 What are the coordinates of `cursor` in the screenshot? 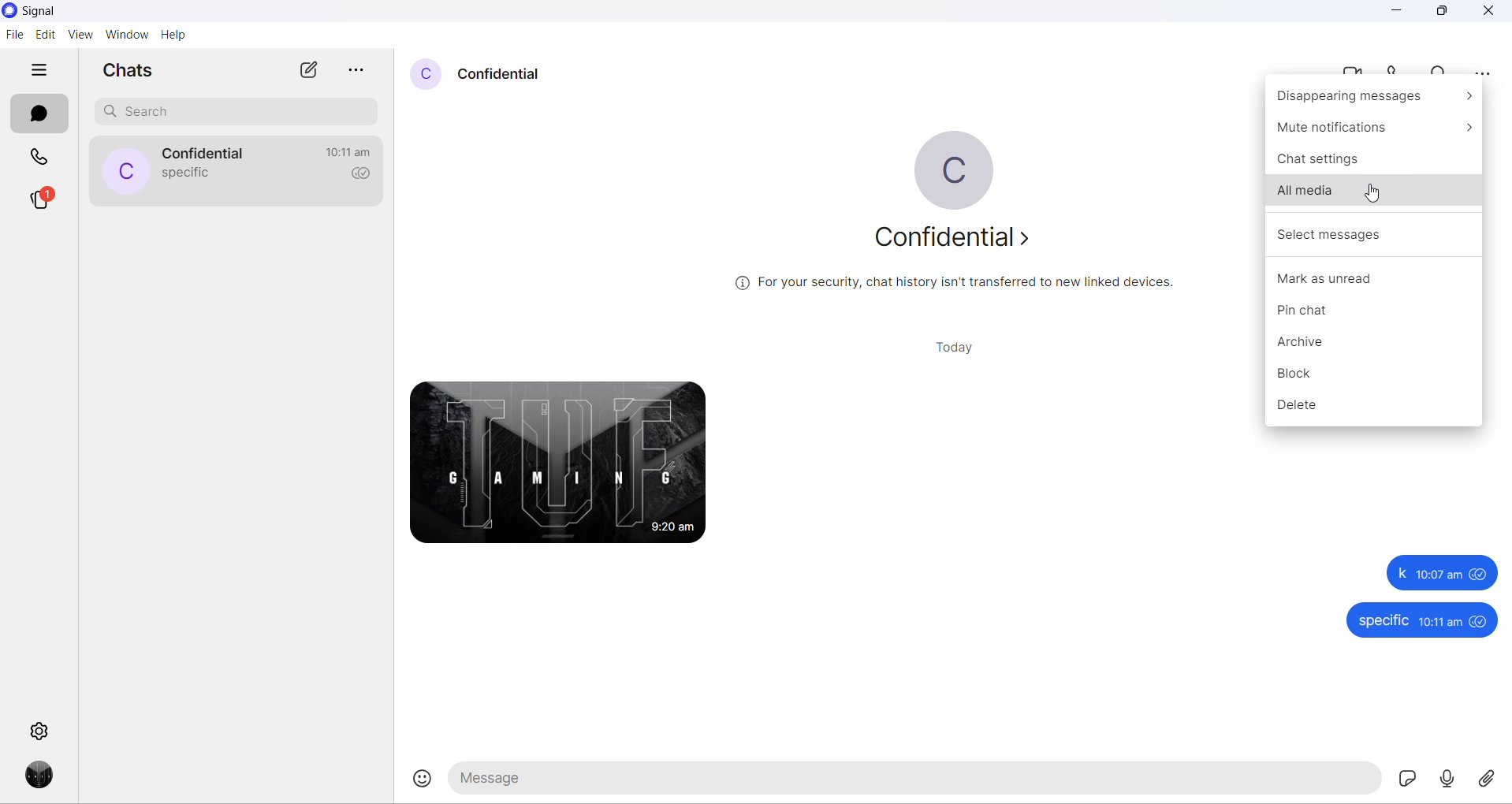 It's located at (1375, 193).